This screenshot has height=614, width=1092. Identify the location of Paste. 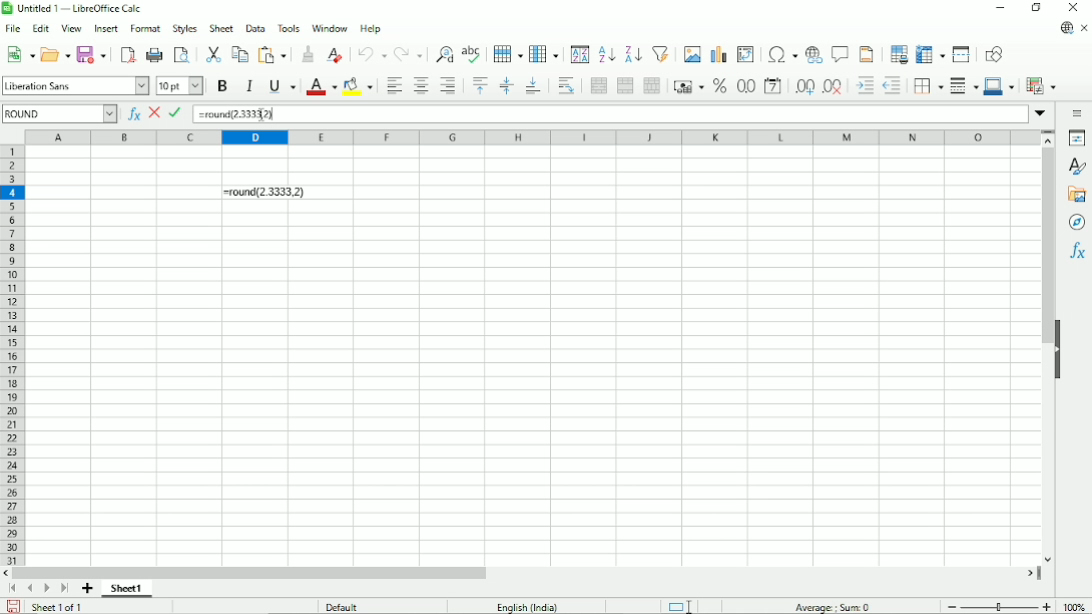
(272, 54).